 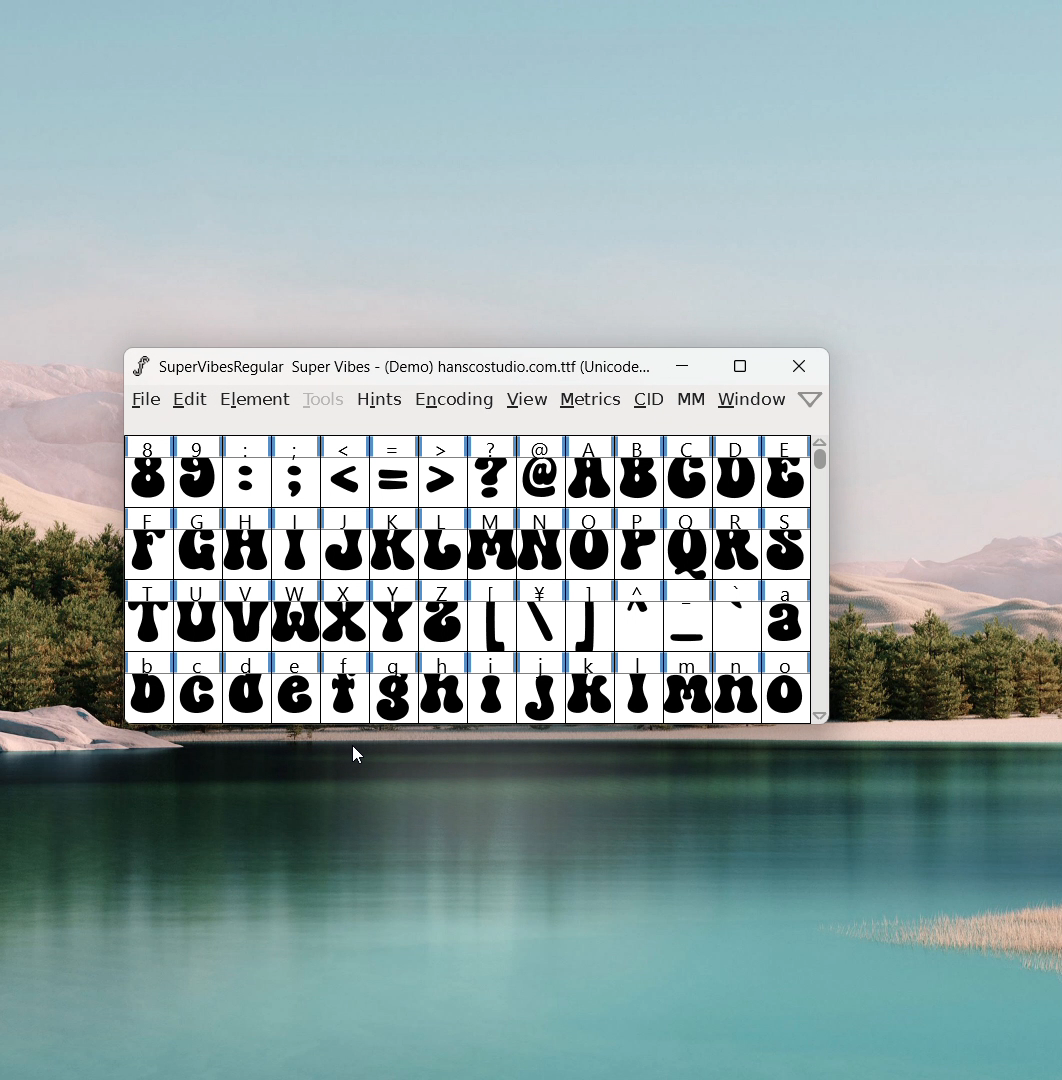 What do you see at coordinates (543, 471) in the screenshot?
I see `@` at bounding box center [543, 471].